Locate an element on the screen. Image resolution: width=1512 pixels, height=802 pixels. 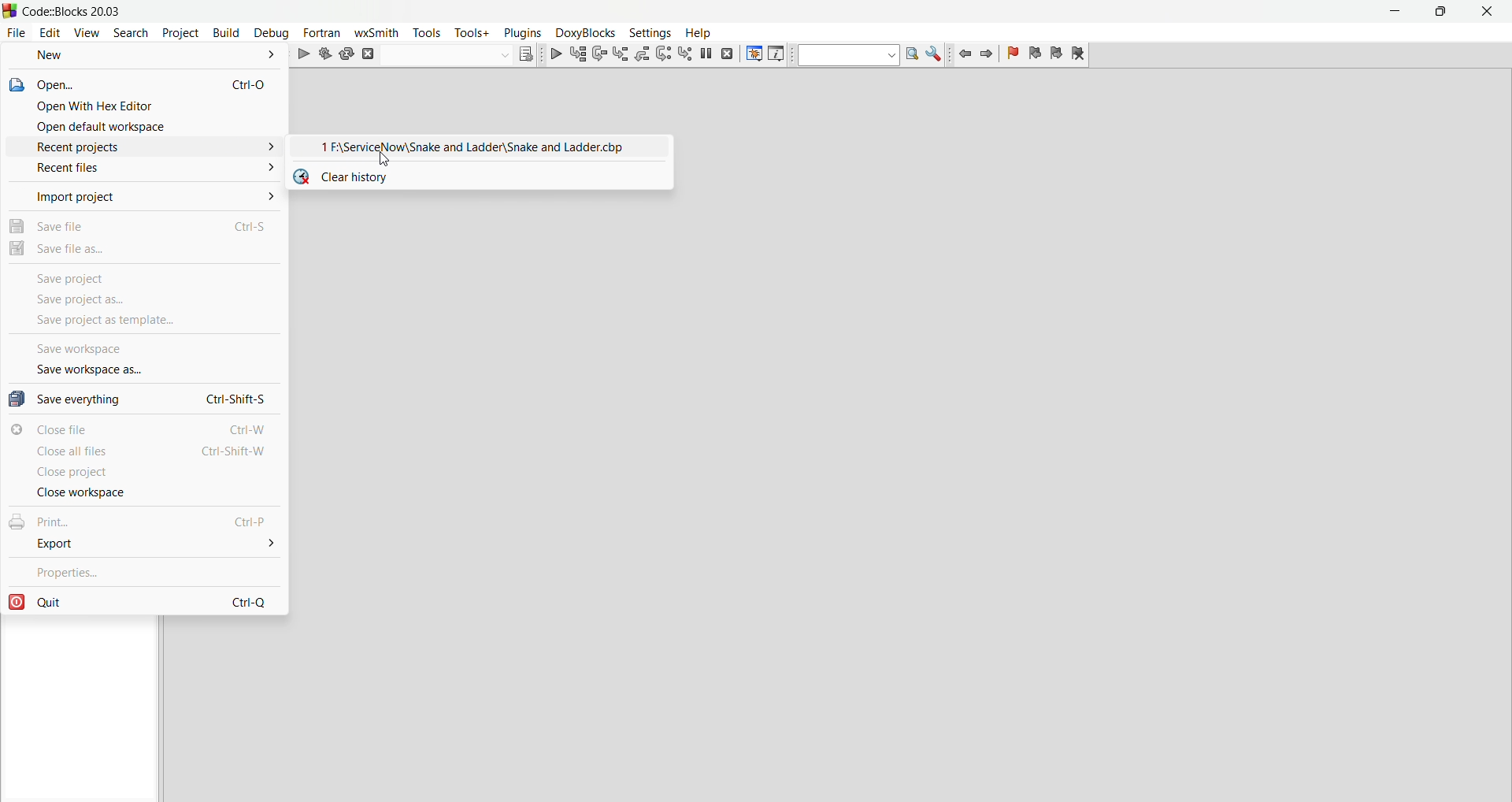
debug is located at coordinates (272, 33).